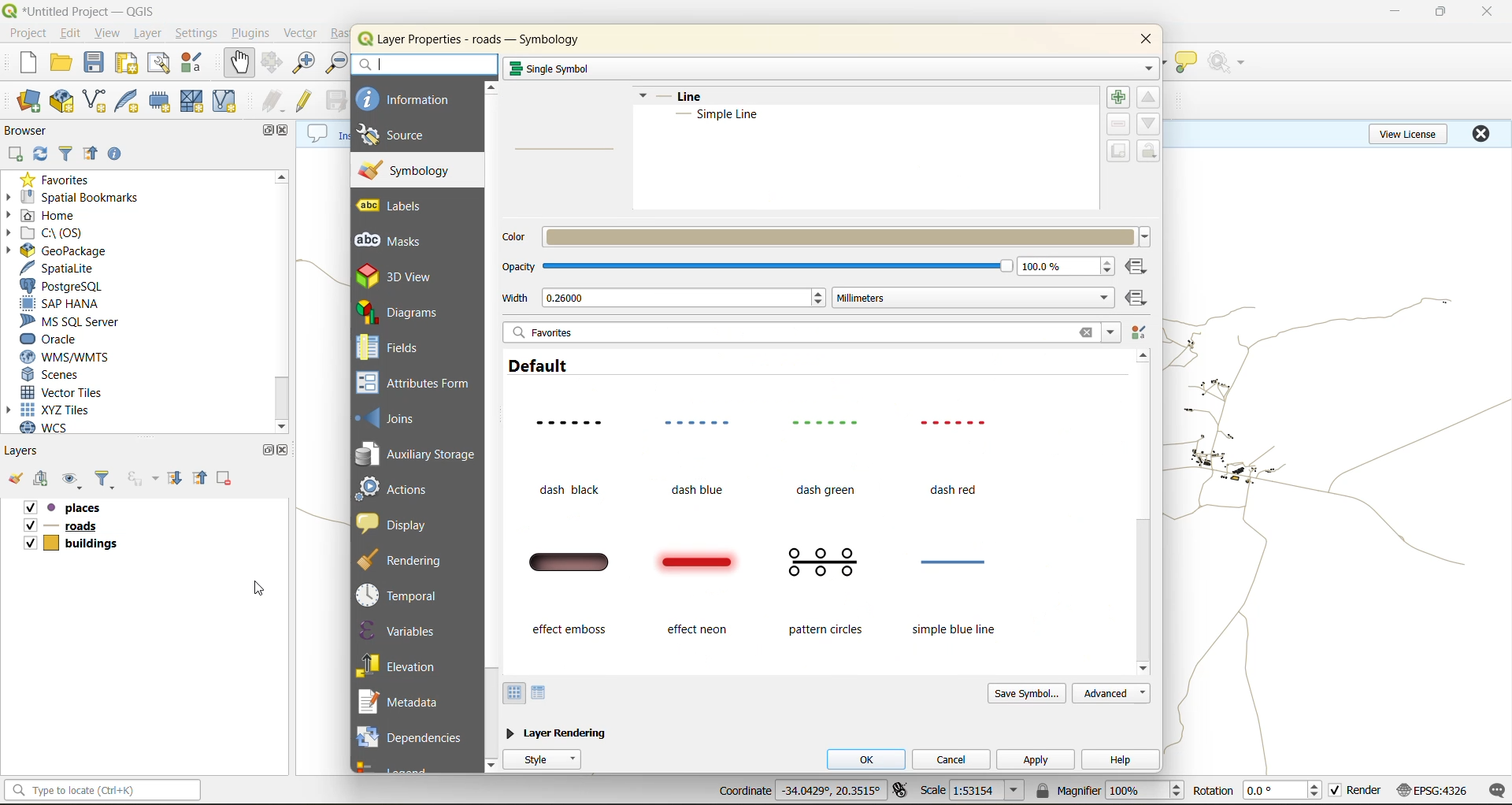 This screenshot has width=1512, height=805. What do you see at coordinates (80, 233) in the screenshot?
I see `c\:os` at bounding box center [80, 233].